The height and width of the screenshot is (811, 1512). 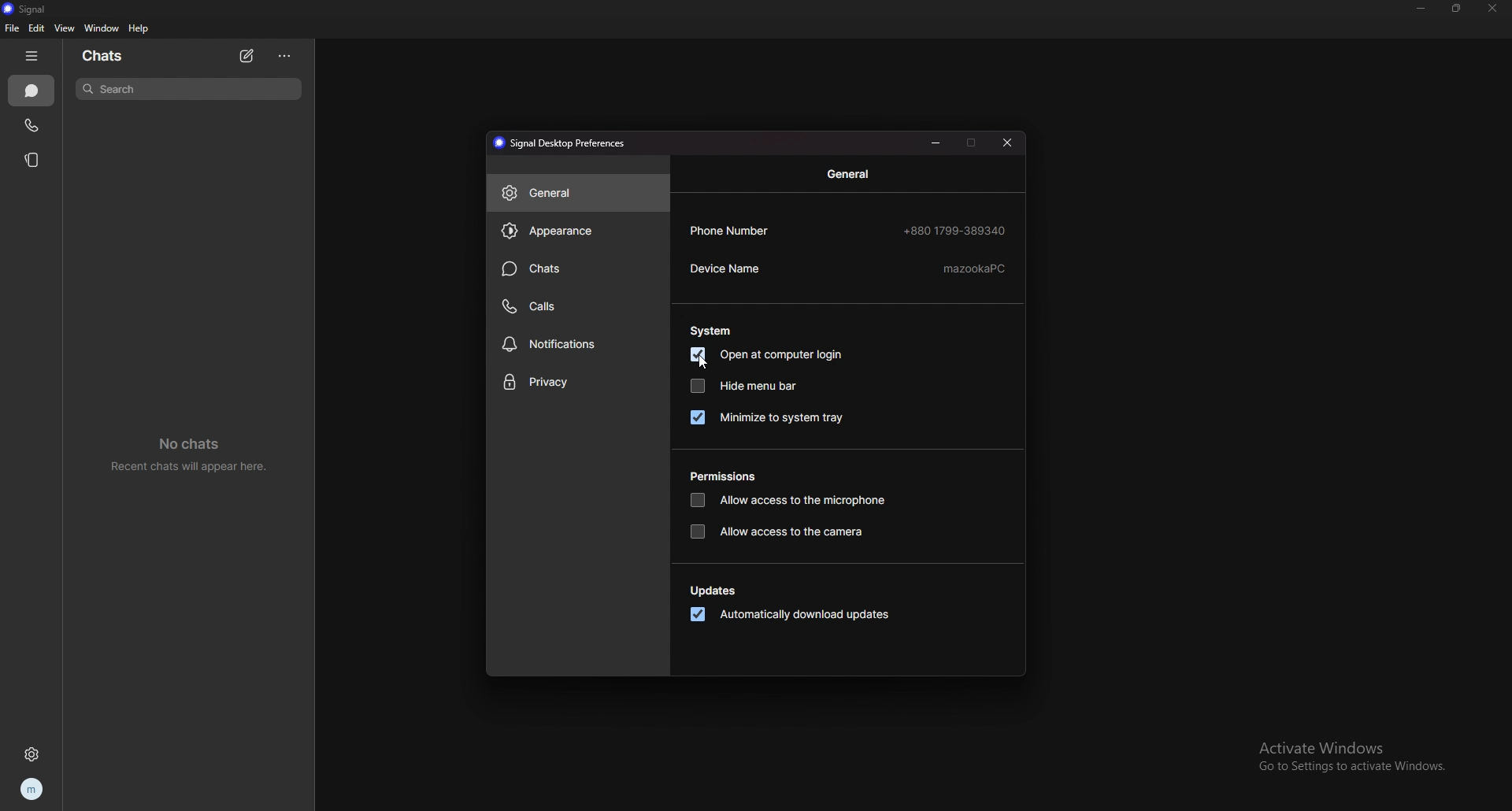 What do you see at coordinates (1421, 9) in the screenshot?
I see `minimize` at bounding box center [1421, 9].